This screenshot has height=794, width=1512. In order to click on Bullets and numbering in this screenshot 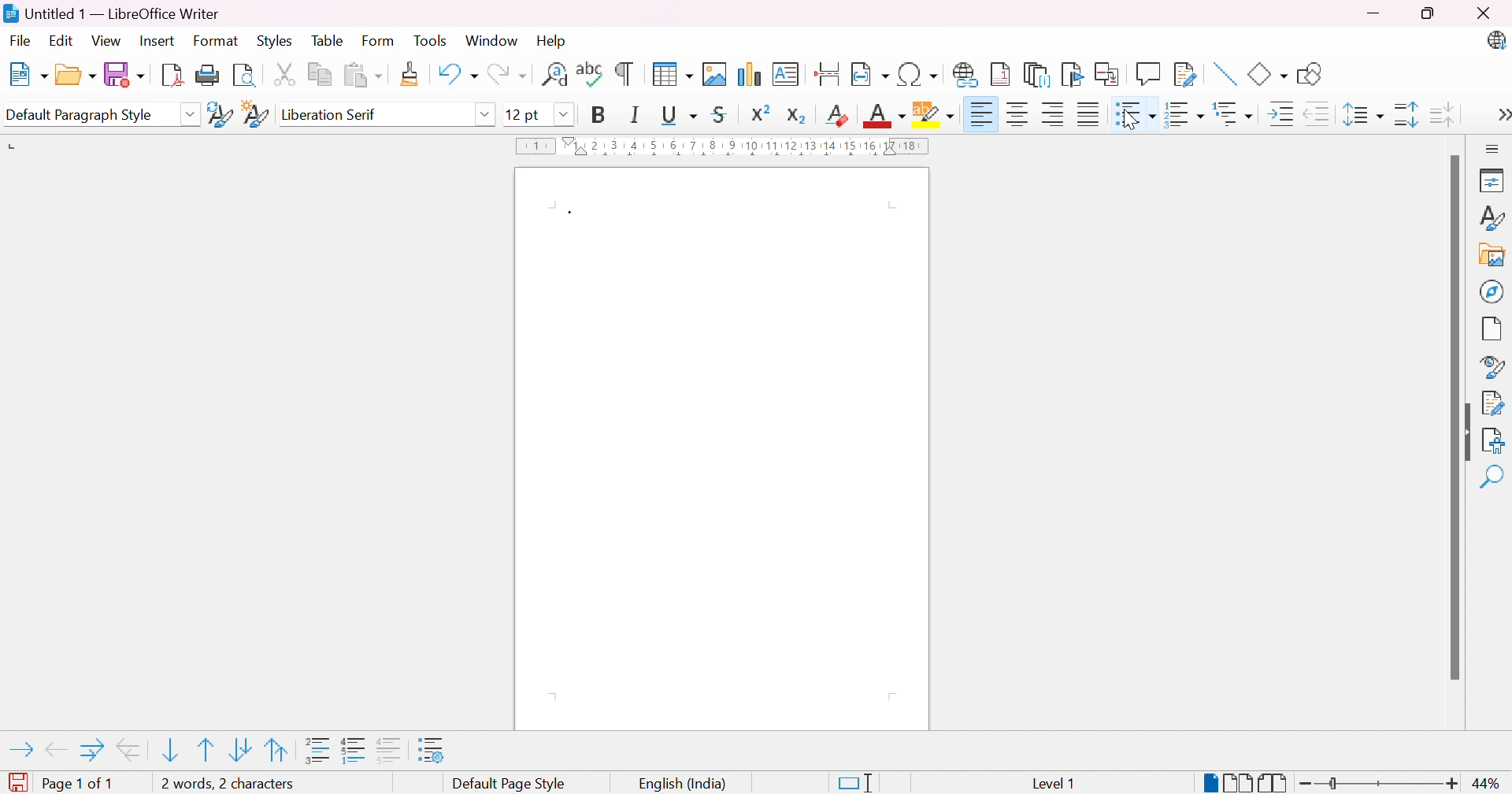, I will do `click(433, 750)`.